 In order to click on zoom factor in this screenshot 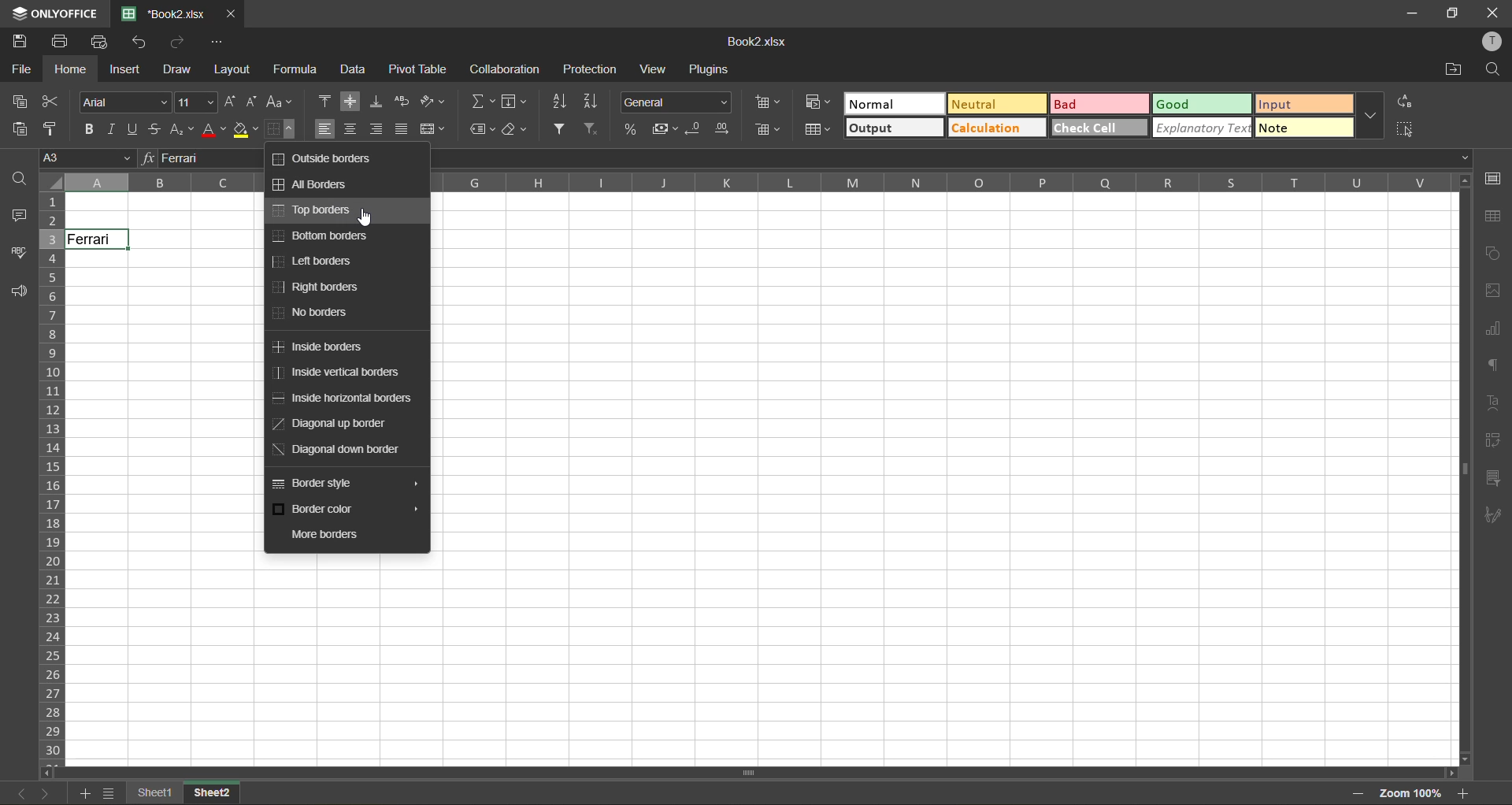, I will do `click(1408, 794)`.